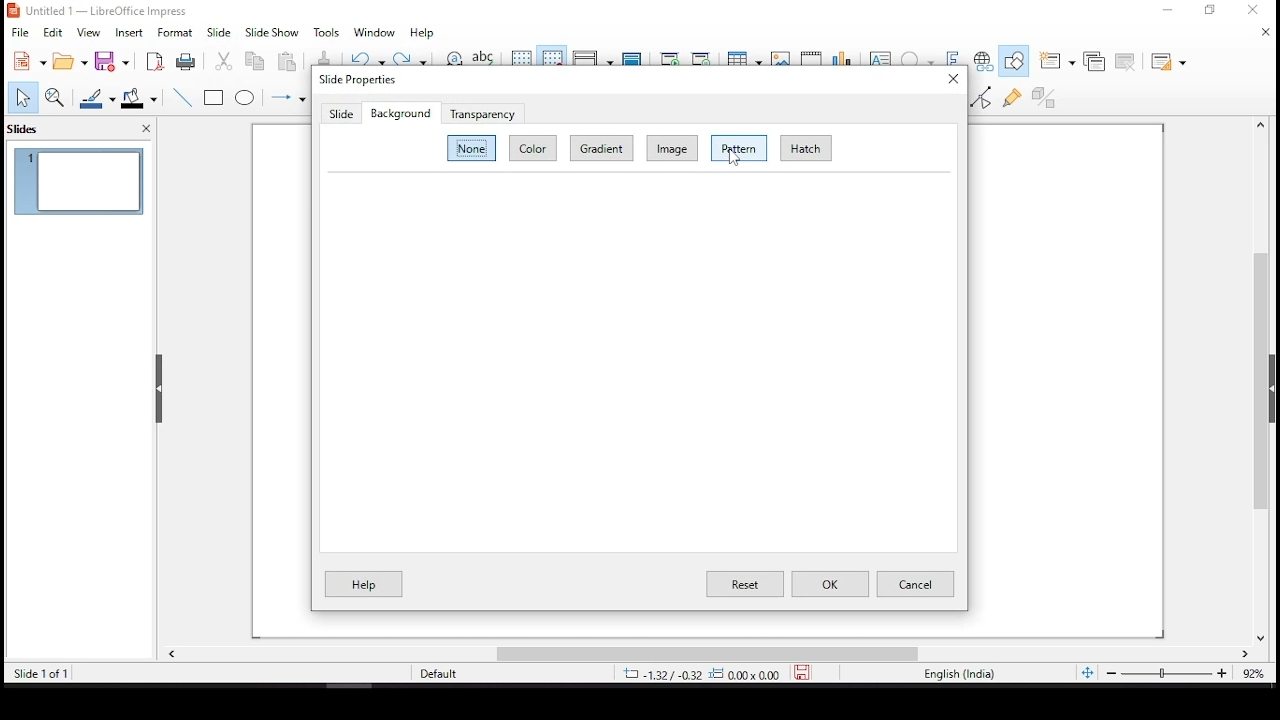 The height and width of the screenshot is (720, 1280). I want to click on fill color, so click(139, 99).